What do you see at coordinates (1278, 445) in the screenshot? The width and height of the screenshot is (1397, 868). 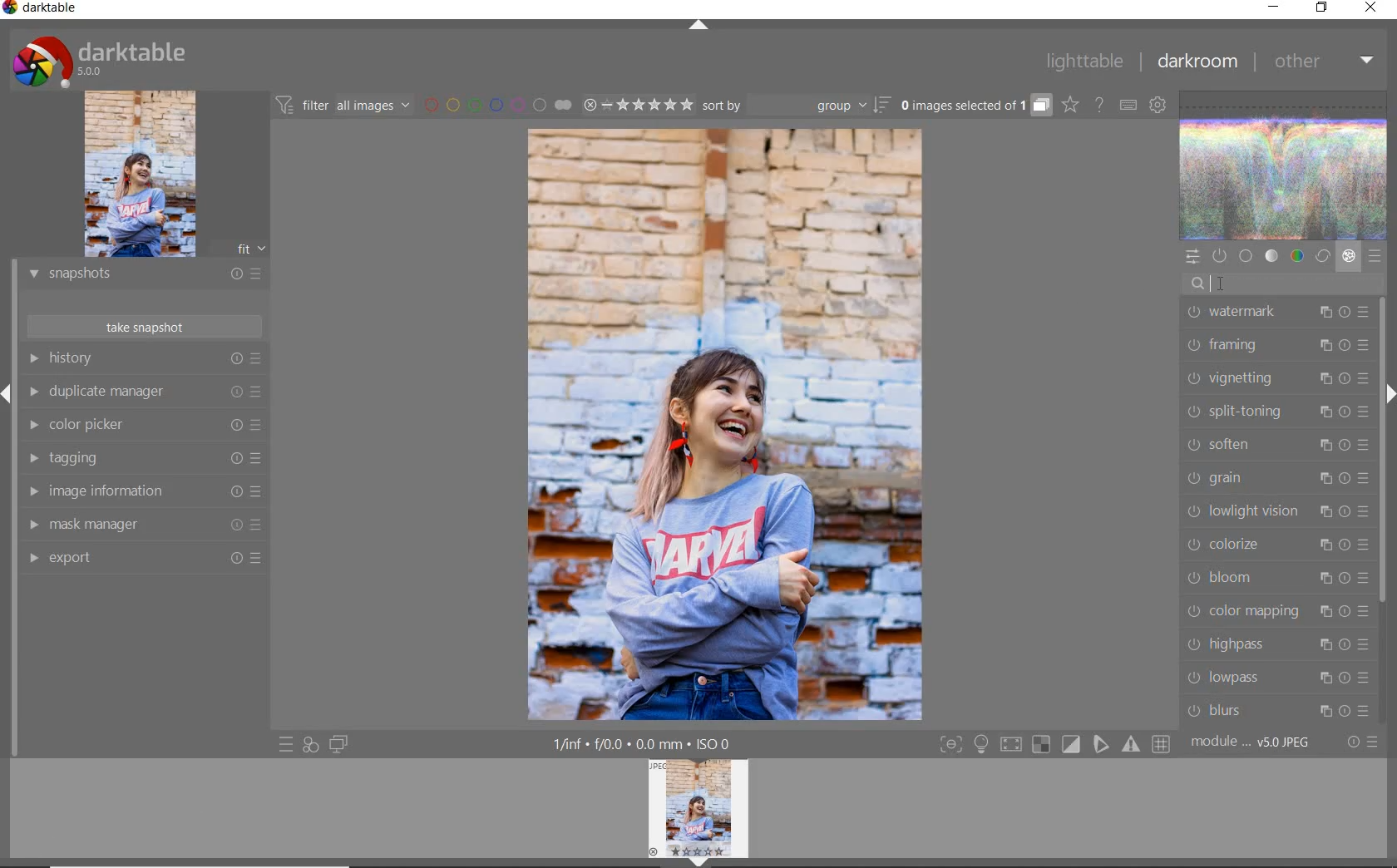 I see `soften` at bounding box center [1278, 445].